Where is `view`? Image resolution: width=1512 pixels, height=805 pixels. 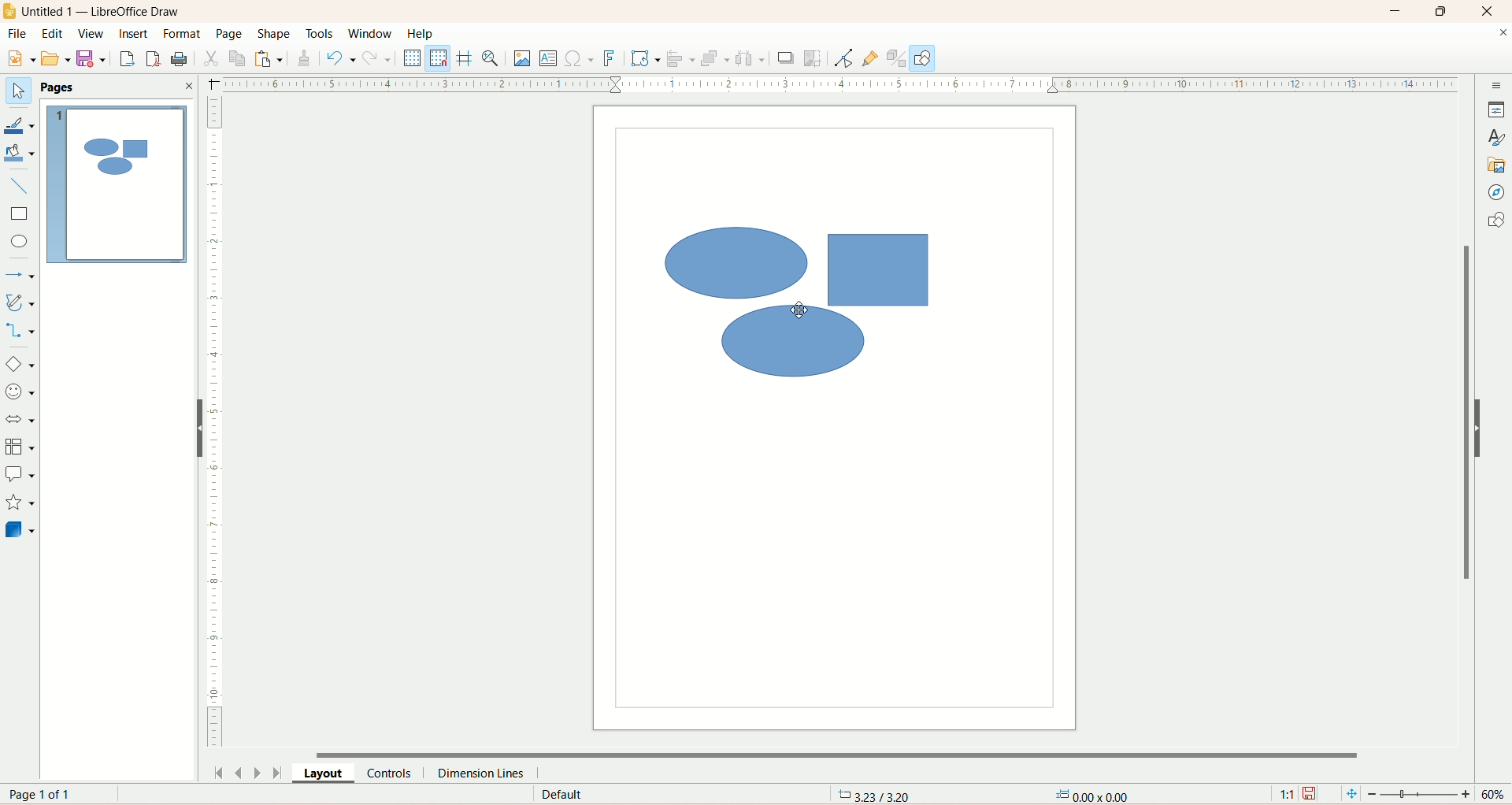 view is located at coordinates (91, 33).